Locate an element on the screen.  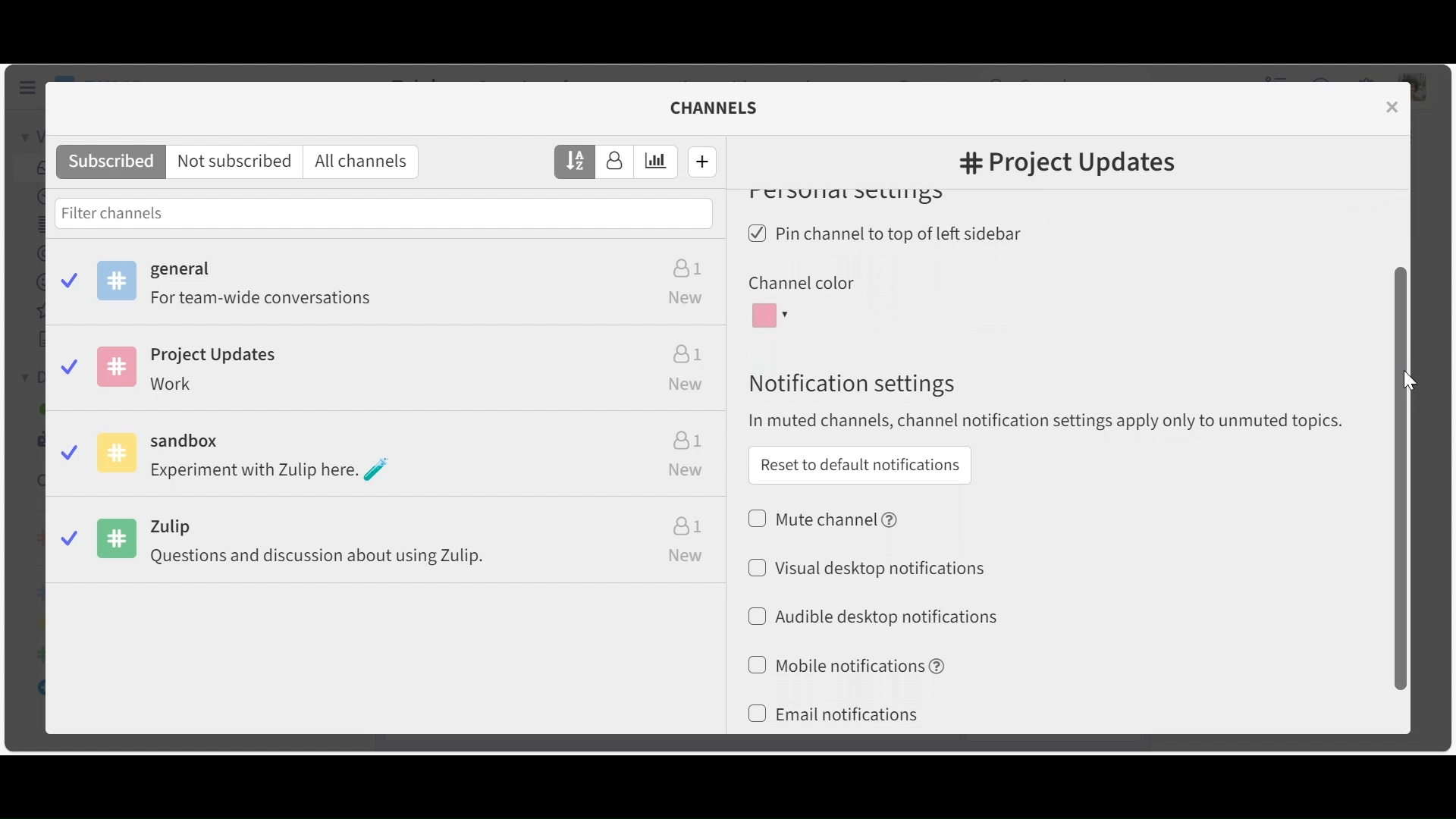
Channel color dropdown menu is located at coordinates (773, 316).